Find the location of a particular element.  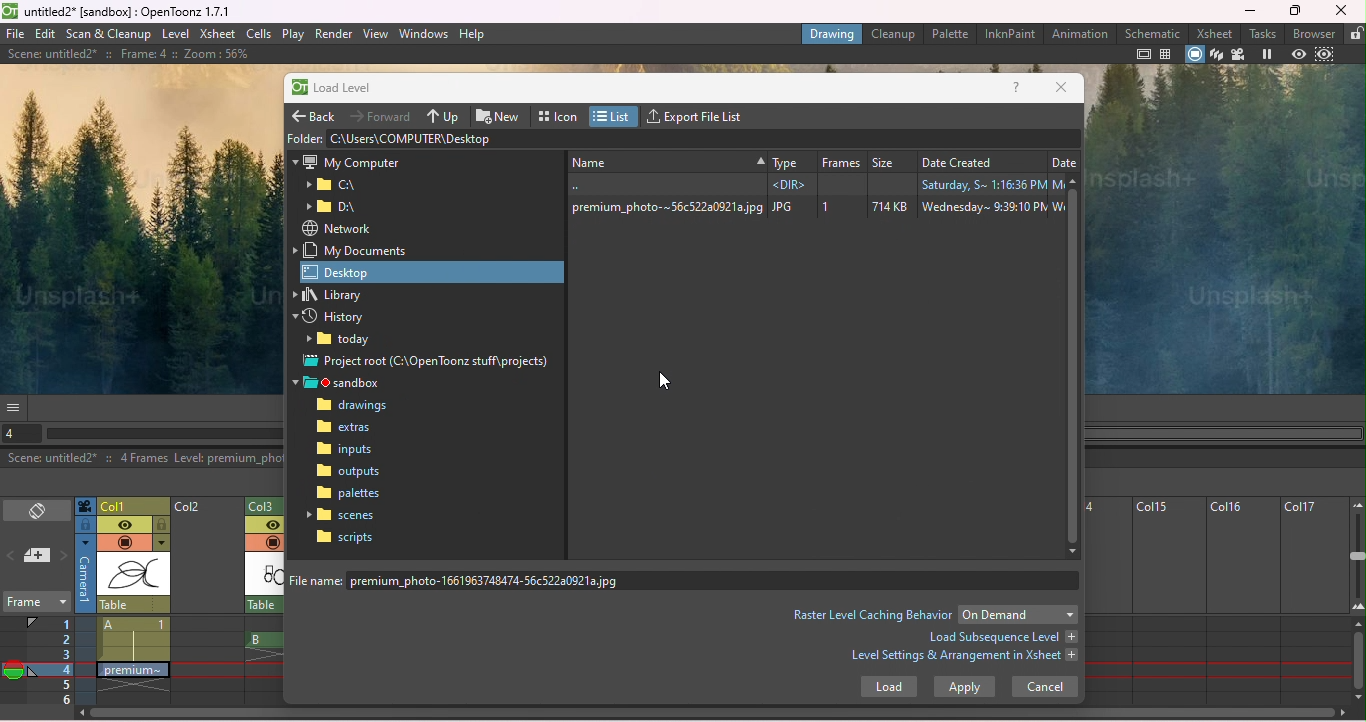

Safe area is located at coordinates (1144, 54).